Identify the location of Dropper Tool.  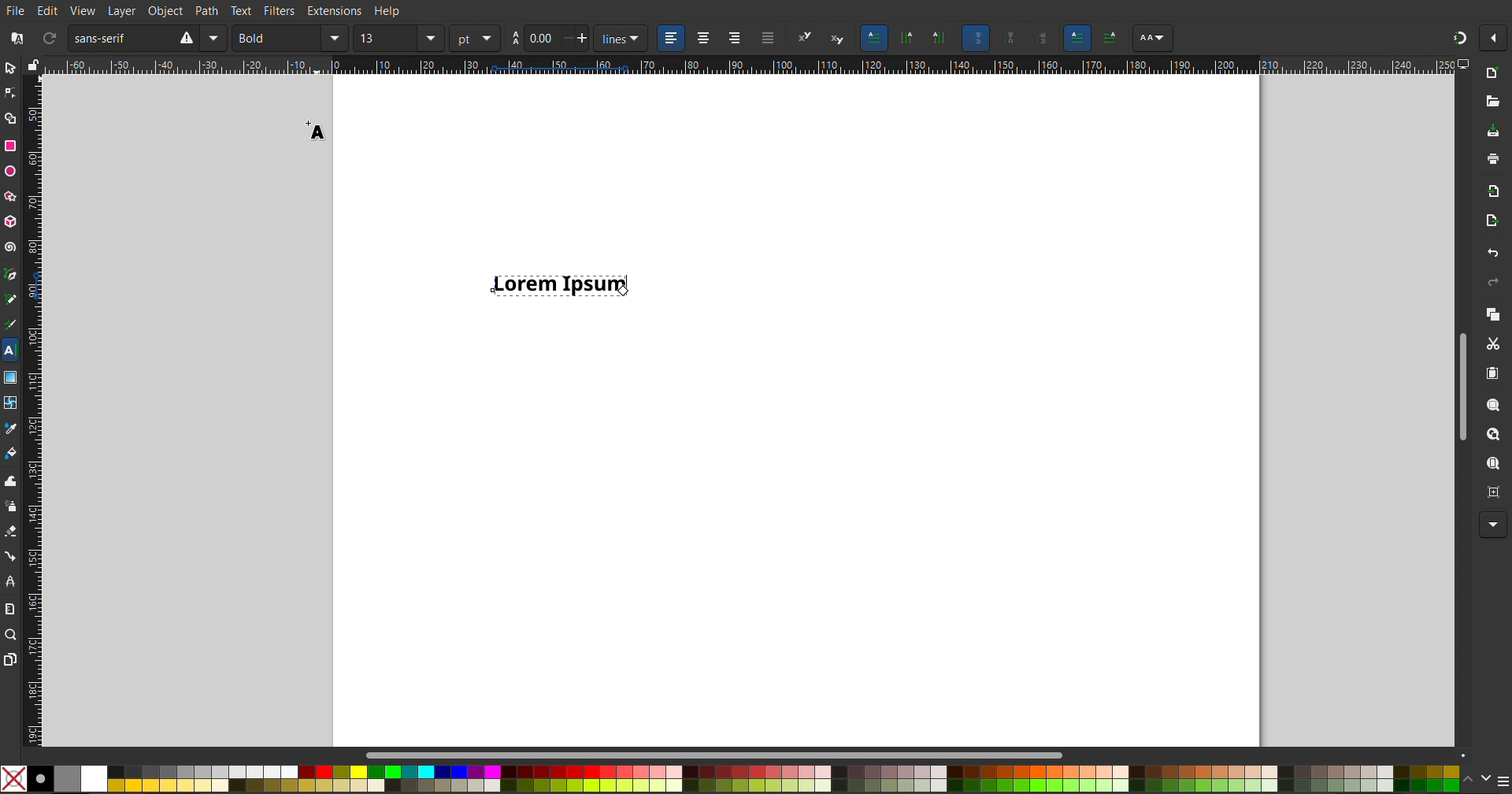
(11, 425).